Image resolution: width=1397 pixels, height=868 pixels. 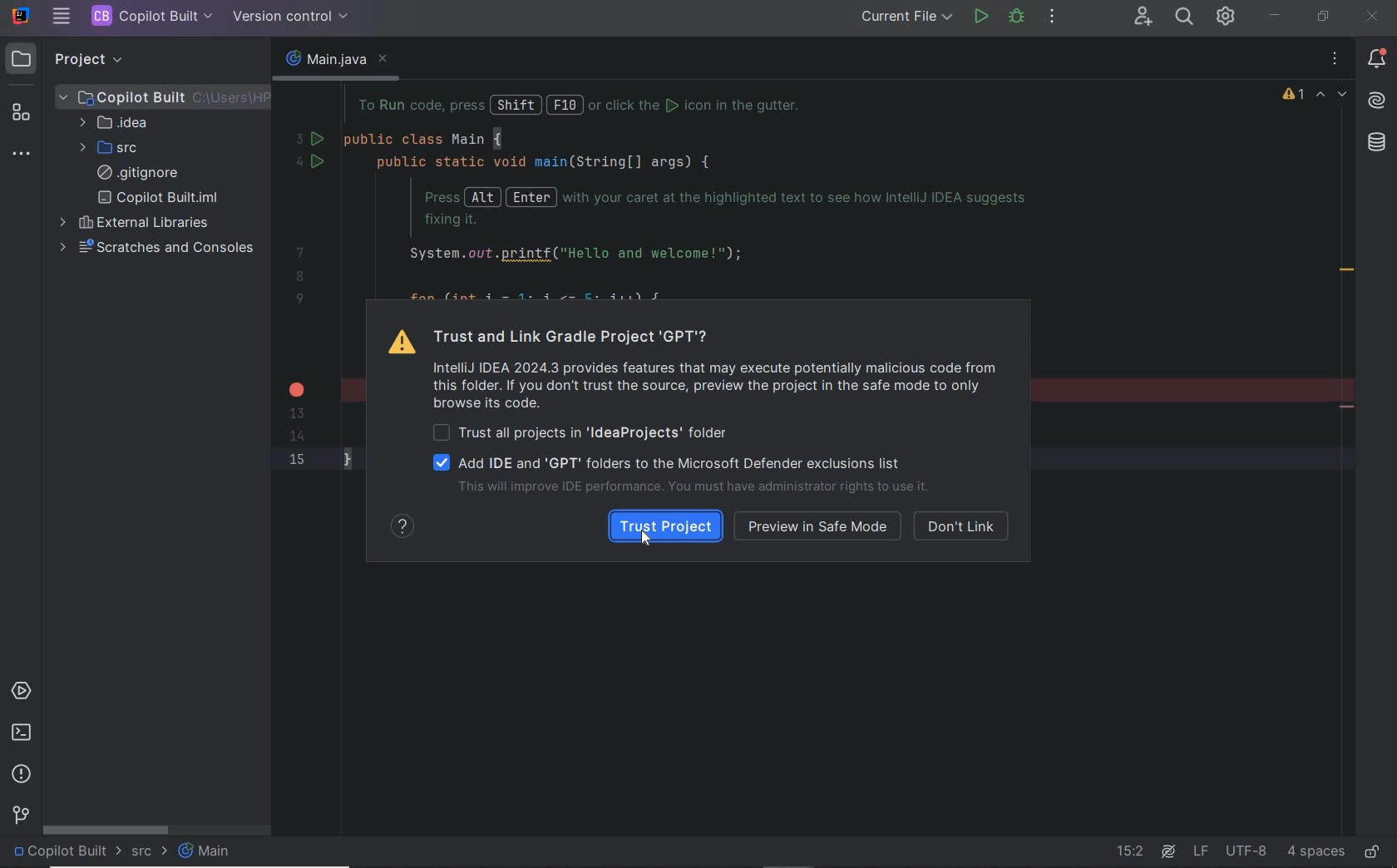 I want to click on version control, so click(x=18, y=816).